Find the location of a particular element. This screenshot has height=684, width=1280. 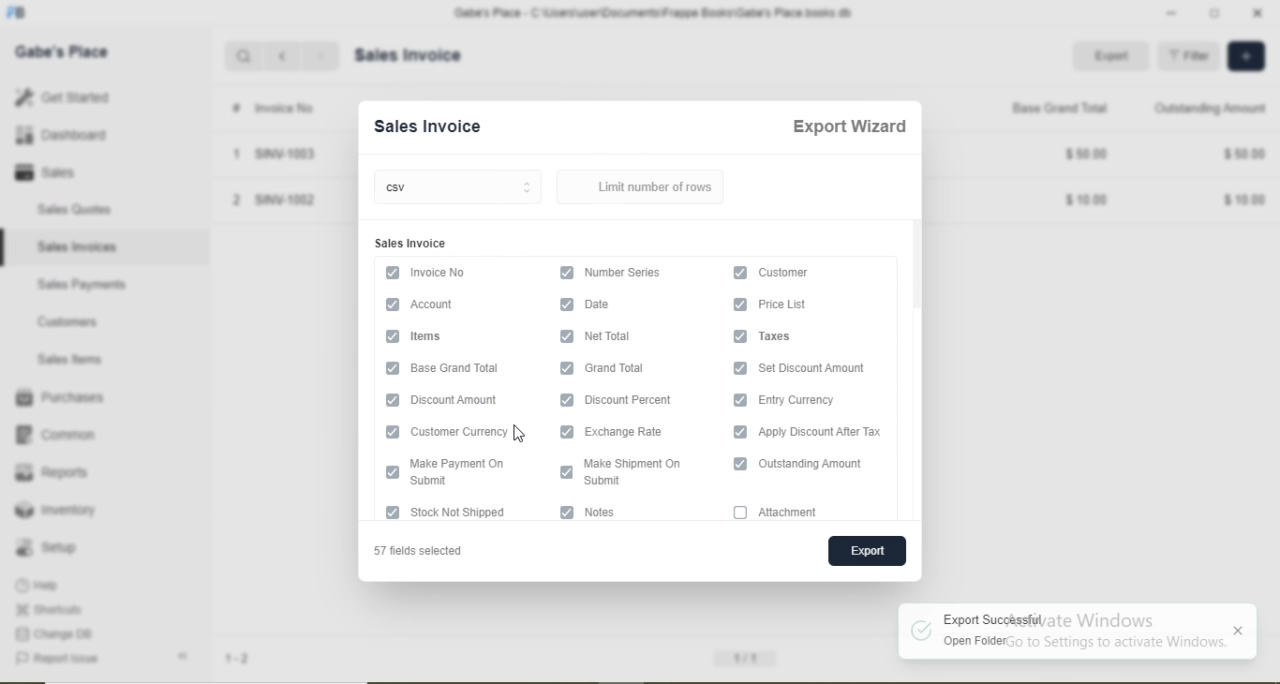

checkbox is located at coordinates (392, 337).